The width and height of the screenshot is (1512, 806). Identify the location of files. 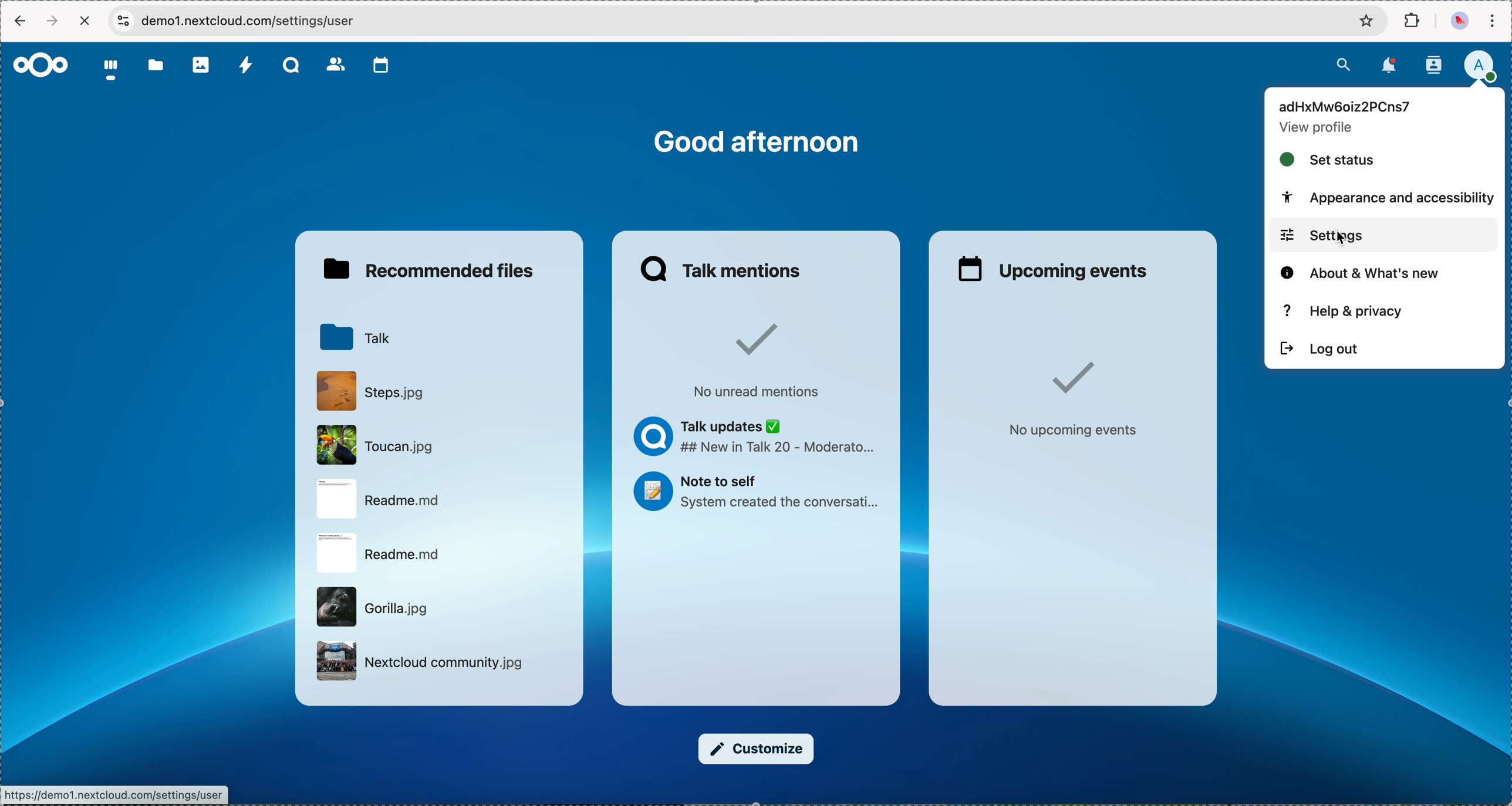
(156, 67).